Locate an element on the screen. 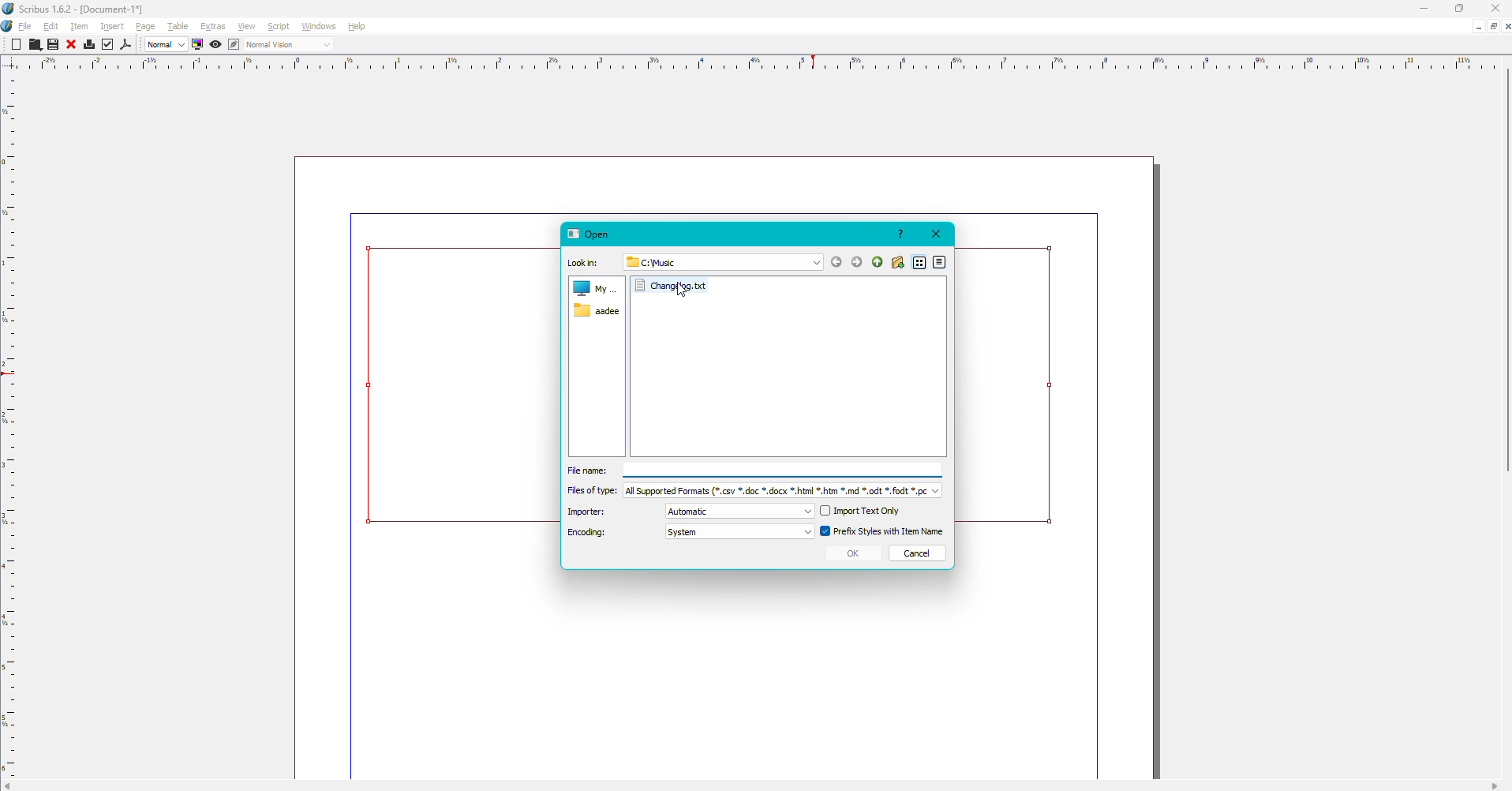 This screenshot has width=1512, height=791. Close is located at coordinates (937, 234).